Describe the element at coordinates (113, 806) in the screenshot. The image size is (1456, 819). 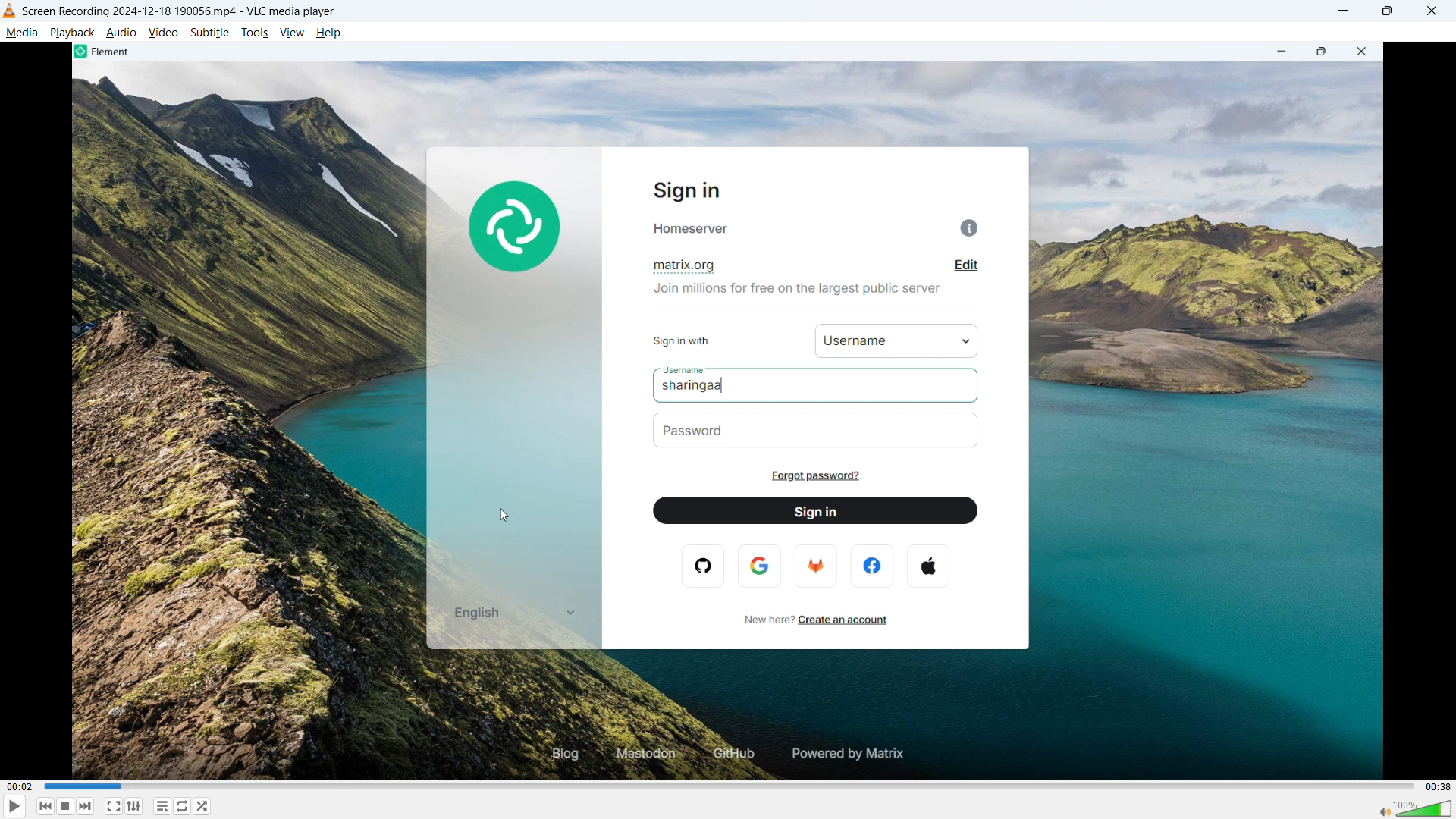
I see `Full screen ` at that location.